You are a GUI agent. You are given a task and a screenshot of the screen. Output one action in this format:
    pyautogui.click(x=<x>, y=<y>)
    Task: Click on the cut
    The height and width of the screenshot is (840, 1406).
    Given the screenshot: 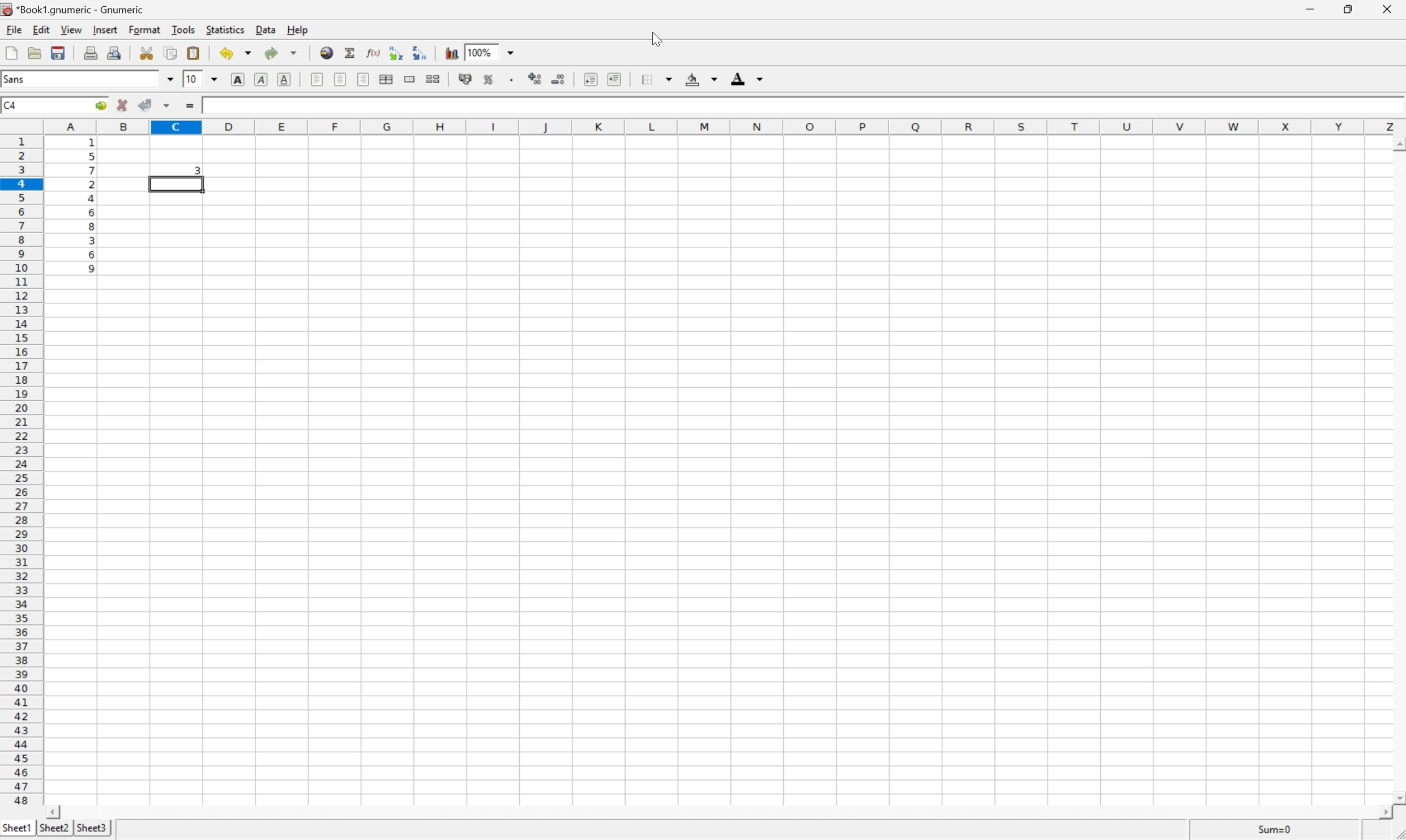 What is the action you would take?
    pyautogui.click(x=148, y=53)
    